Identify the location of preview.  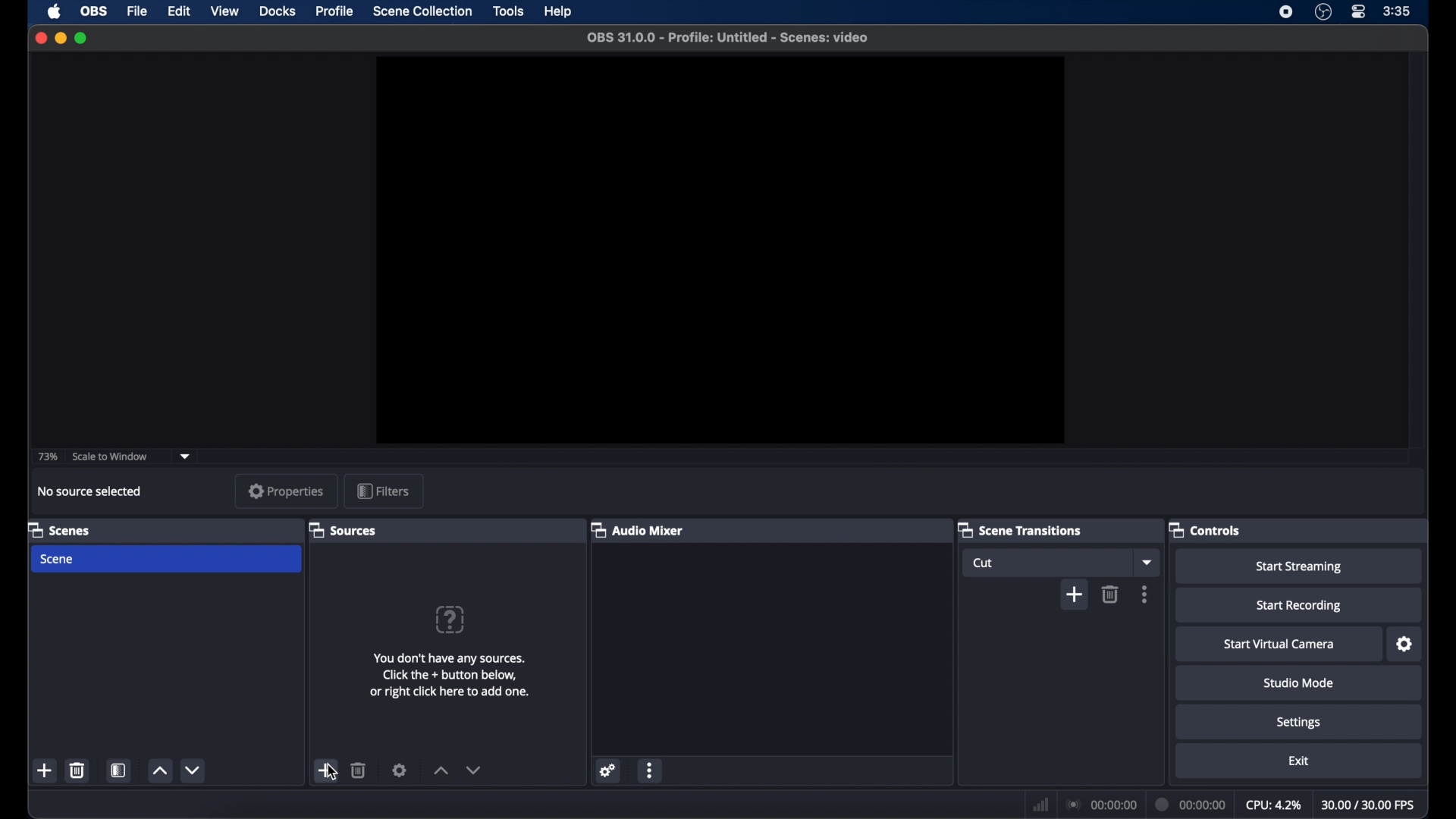
(720, 250).